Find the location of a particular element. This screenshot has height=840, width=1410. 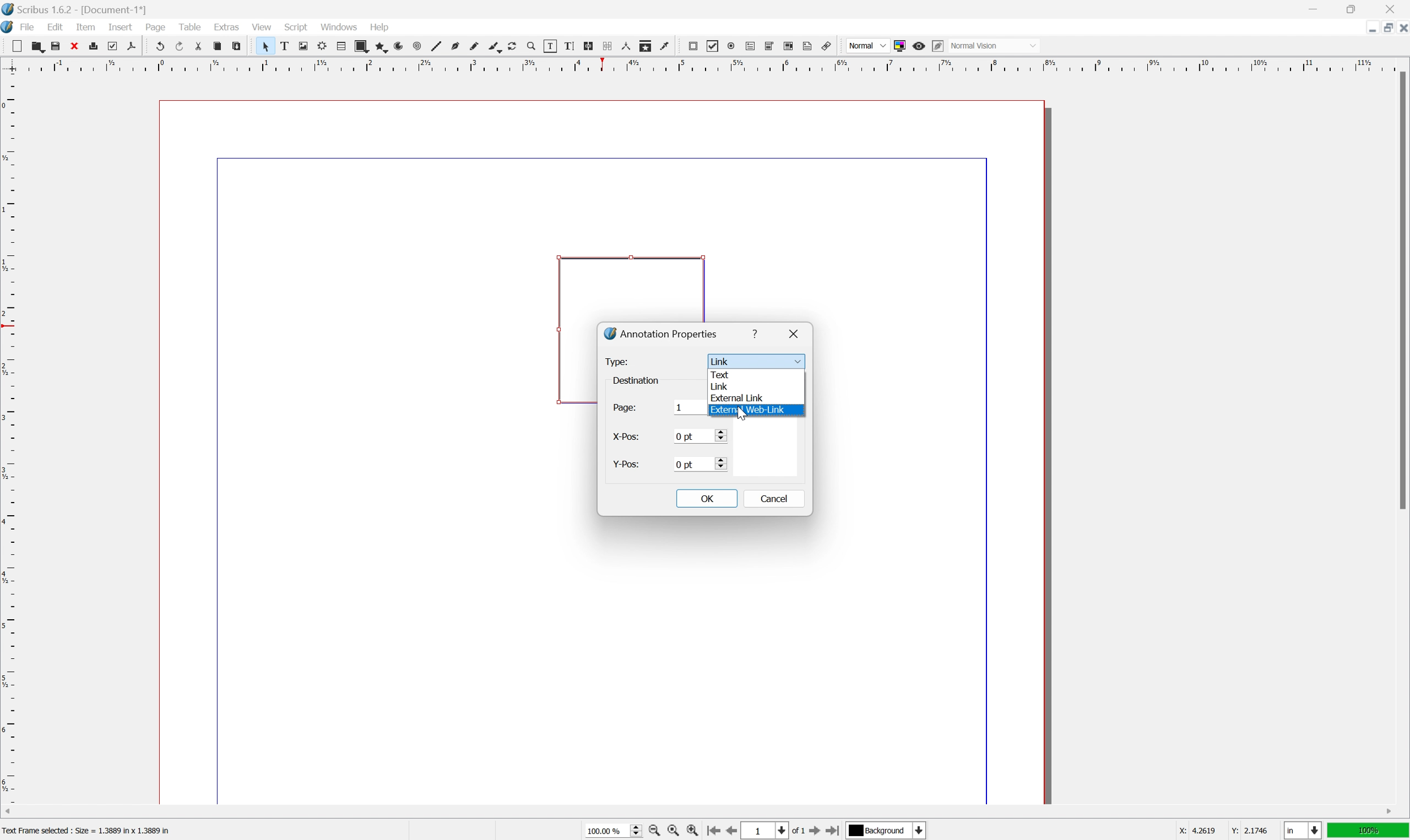

0 pt is located at coordinates (690, 408).